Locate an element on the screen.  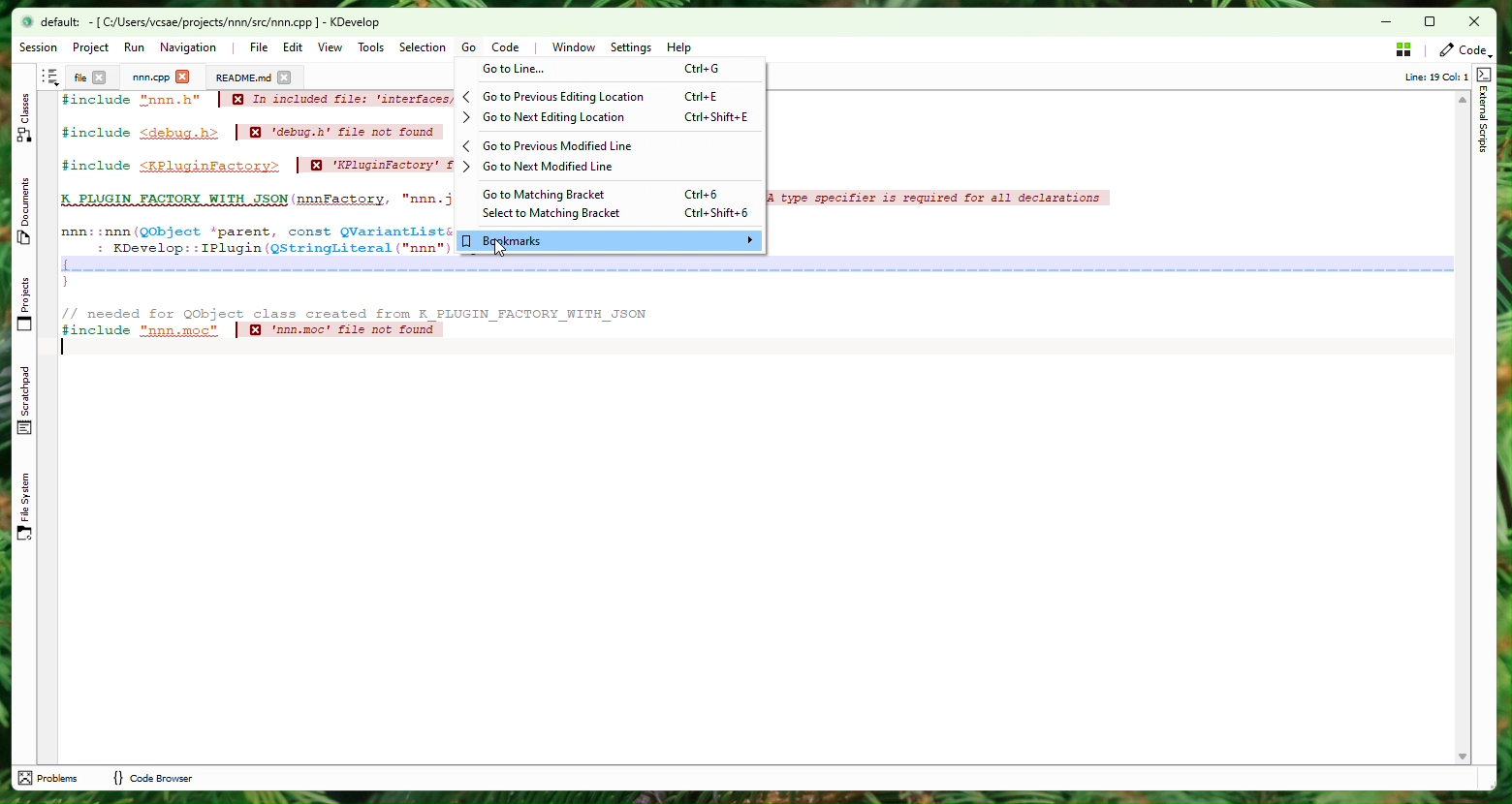
Code is located at coordinates (511, 49).